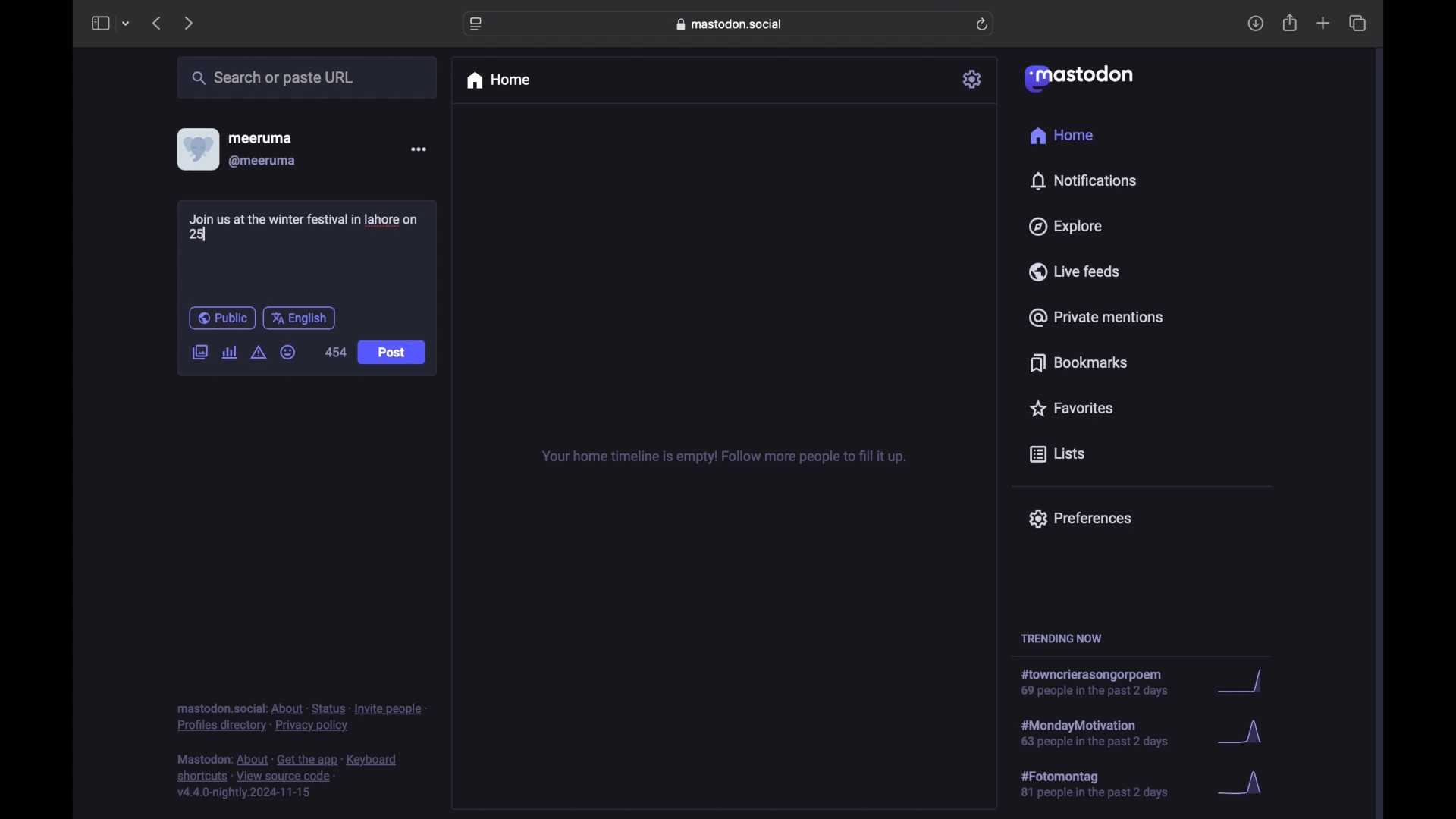 Image resolution: width=1456 pixels, height=819 pixels. What do you see at coordinates (1077, 77) in the screenshot?
I see `mastodon` at bounding box center [1077, 77].